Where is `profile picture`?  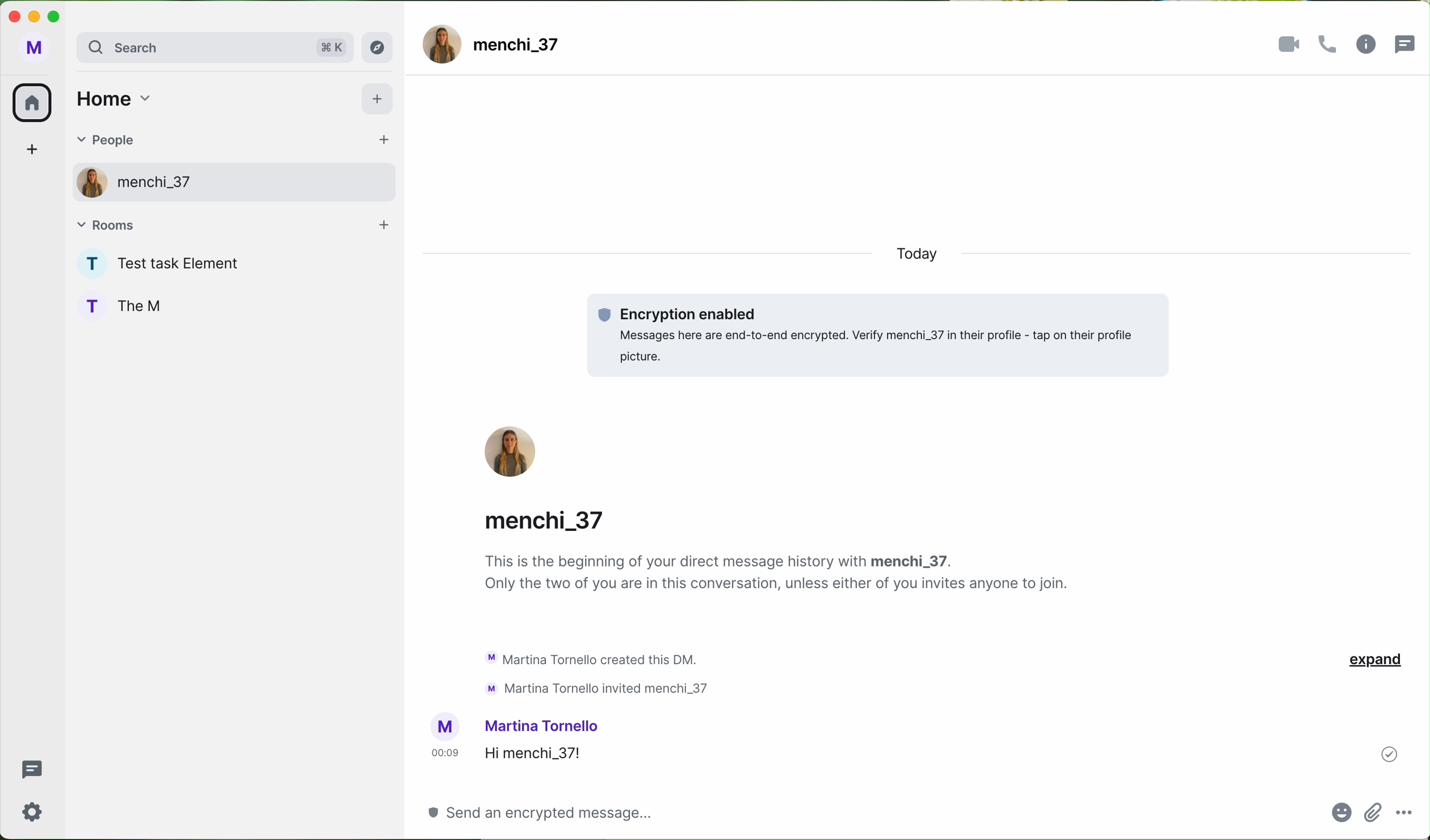 profile picture is located at coordinates (445, 727).